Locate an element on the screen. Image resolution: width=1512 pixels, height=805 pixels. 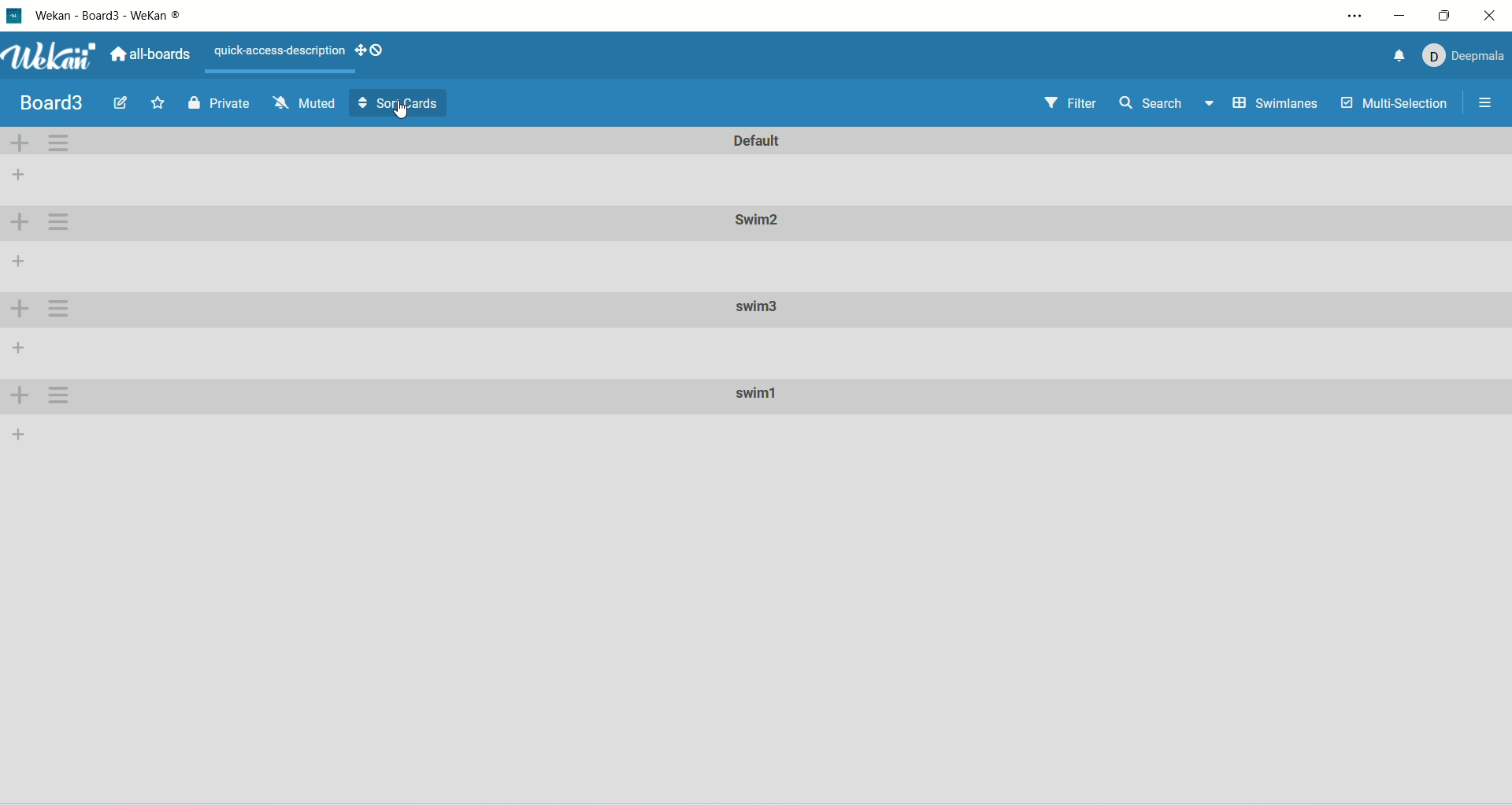
swimlane actions is located at coordinates (59, 223).